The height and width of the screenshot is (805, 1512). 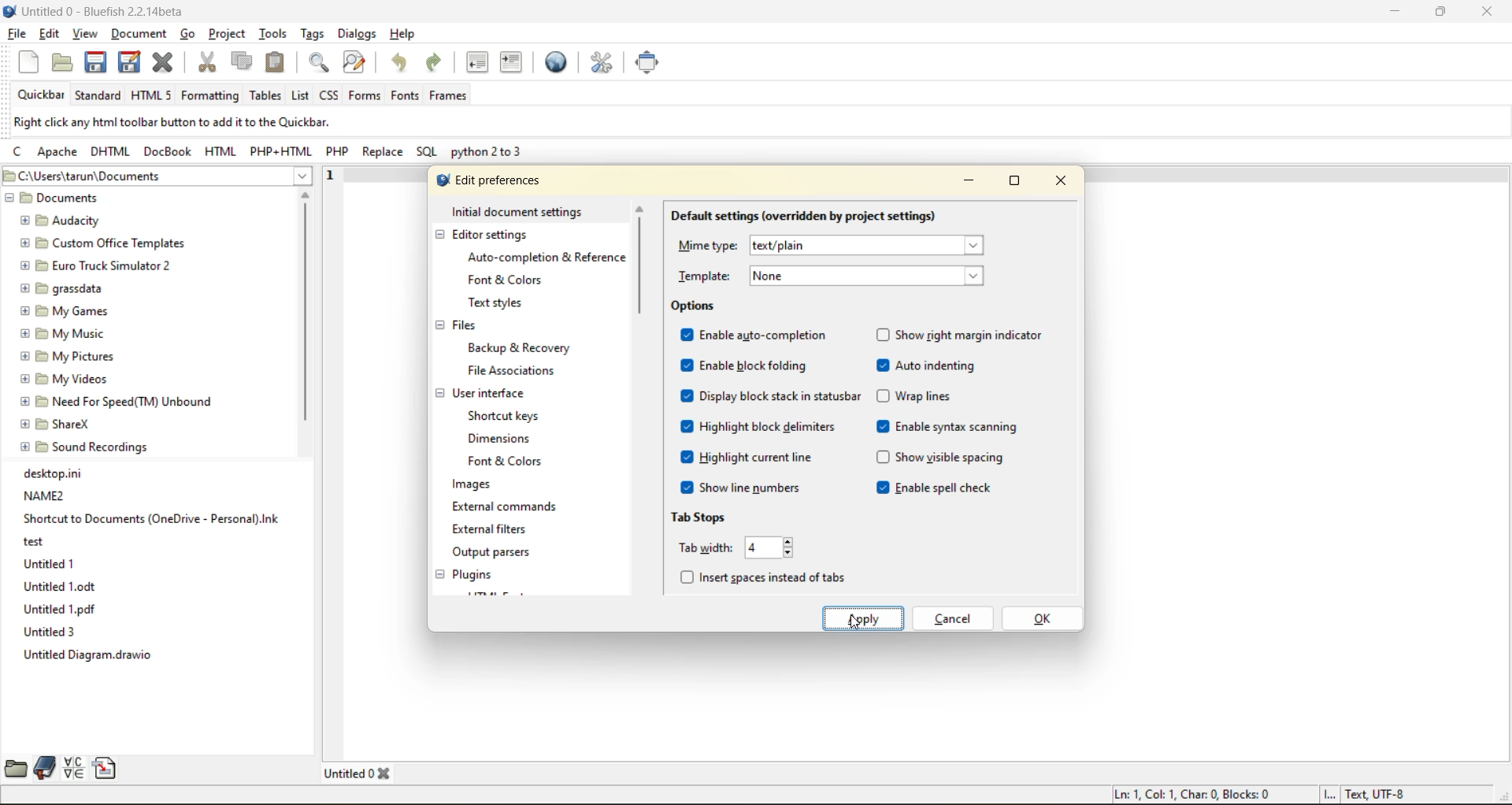 I want to click on enable auto completions, so click(x=758, y=335).